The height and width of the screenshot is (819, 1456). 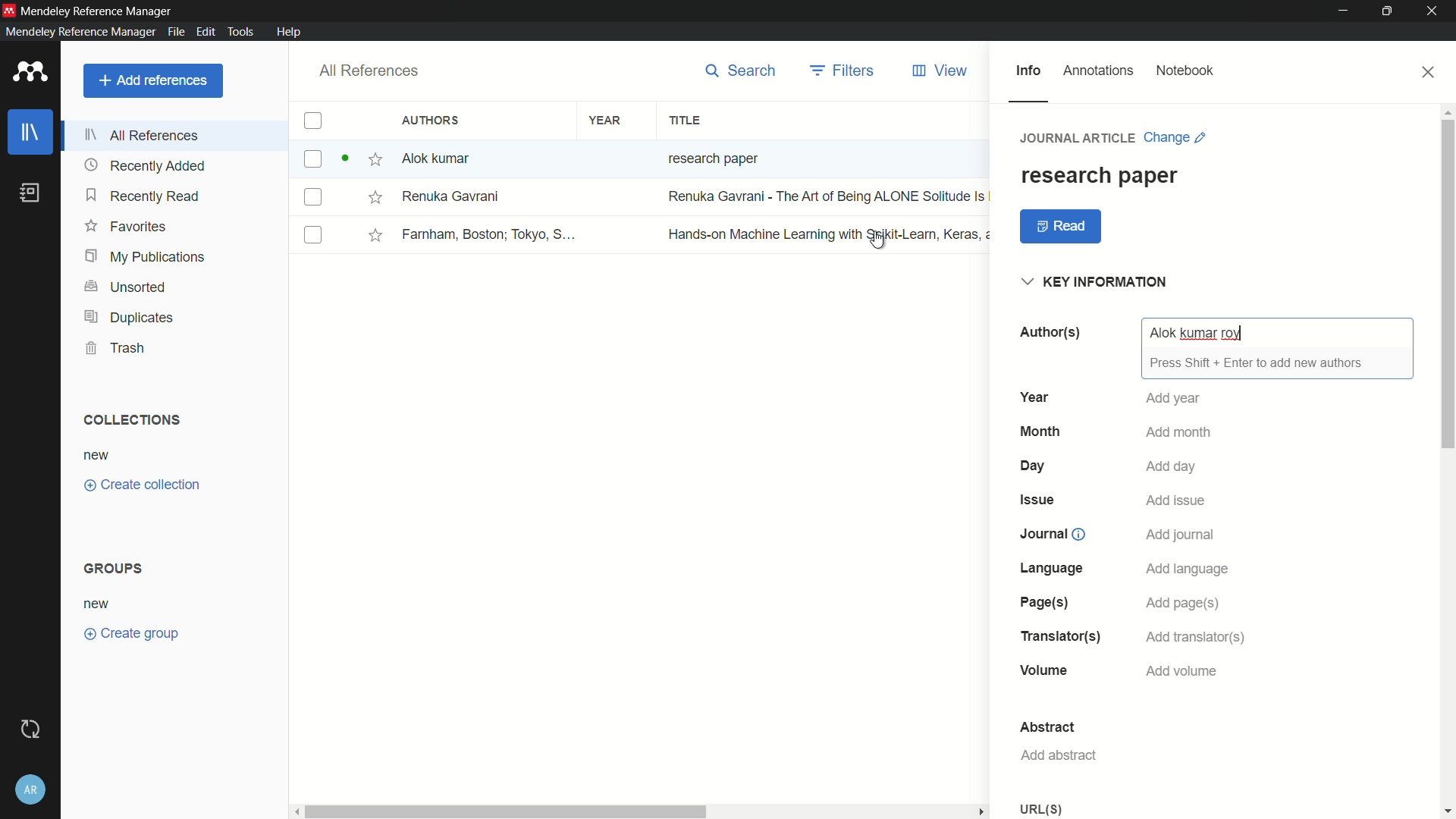 What do you see at coordinates (1175, 399) in the screenshot?
I see `add year` at bounding box center [1175, 399].